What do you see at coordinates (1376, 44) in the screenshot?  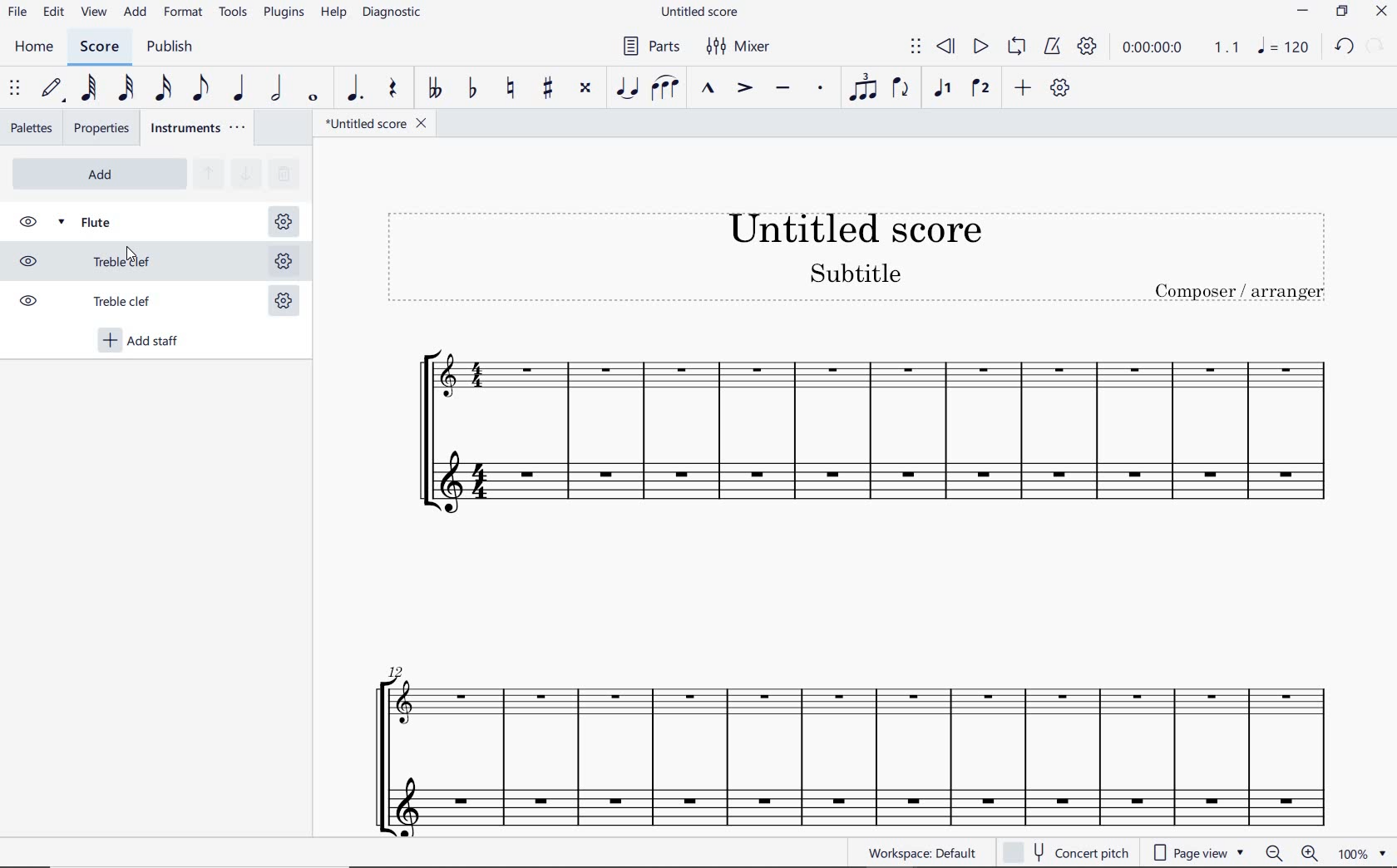 I see `relode` at bounding box center [1376, 44].